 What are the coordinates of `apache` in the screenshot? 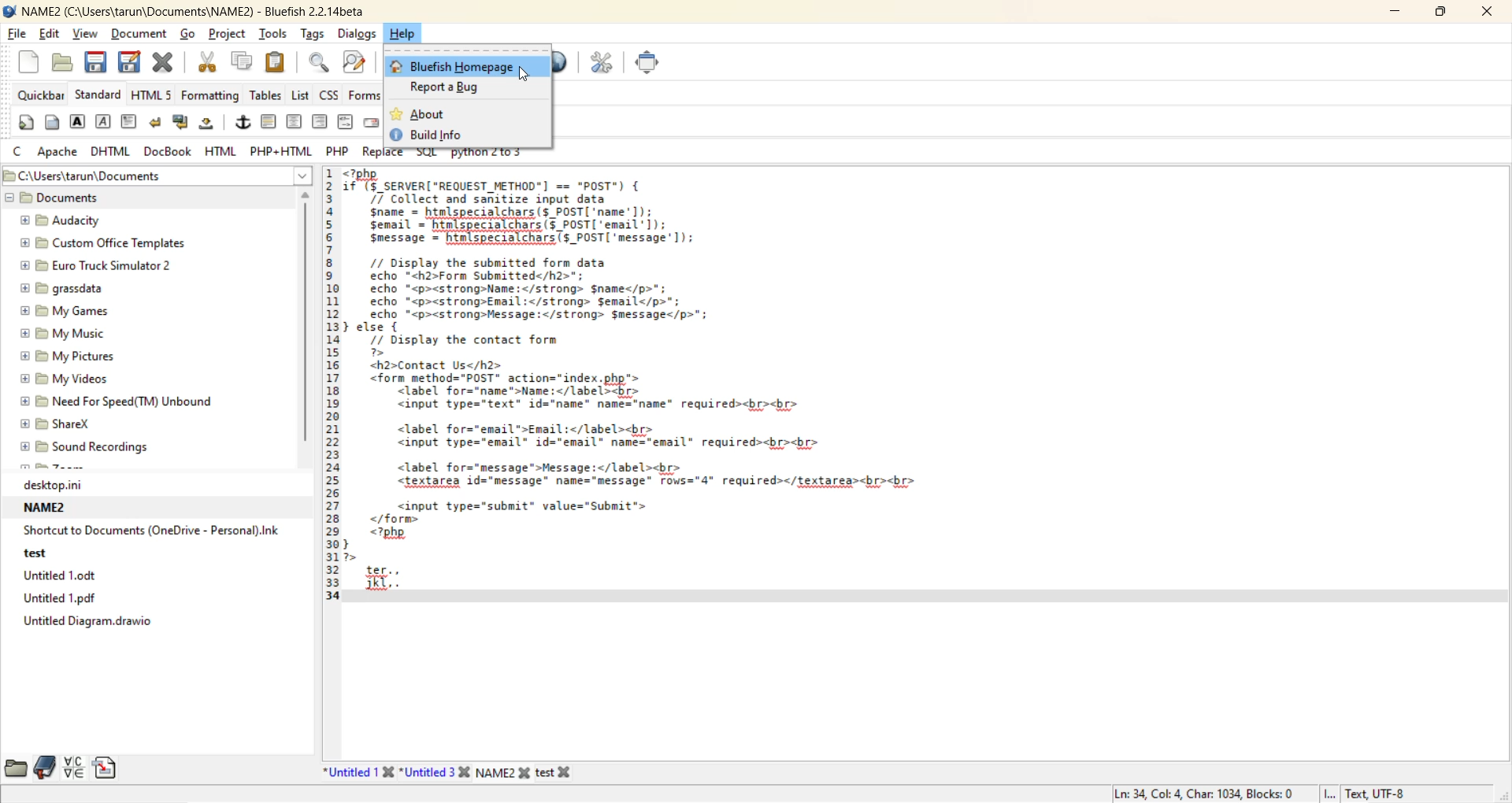 It's located at (57, 150).